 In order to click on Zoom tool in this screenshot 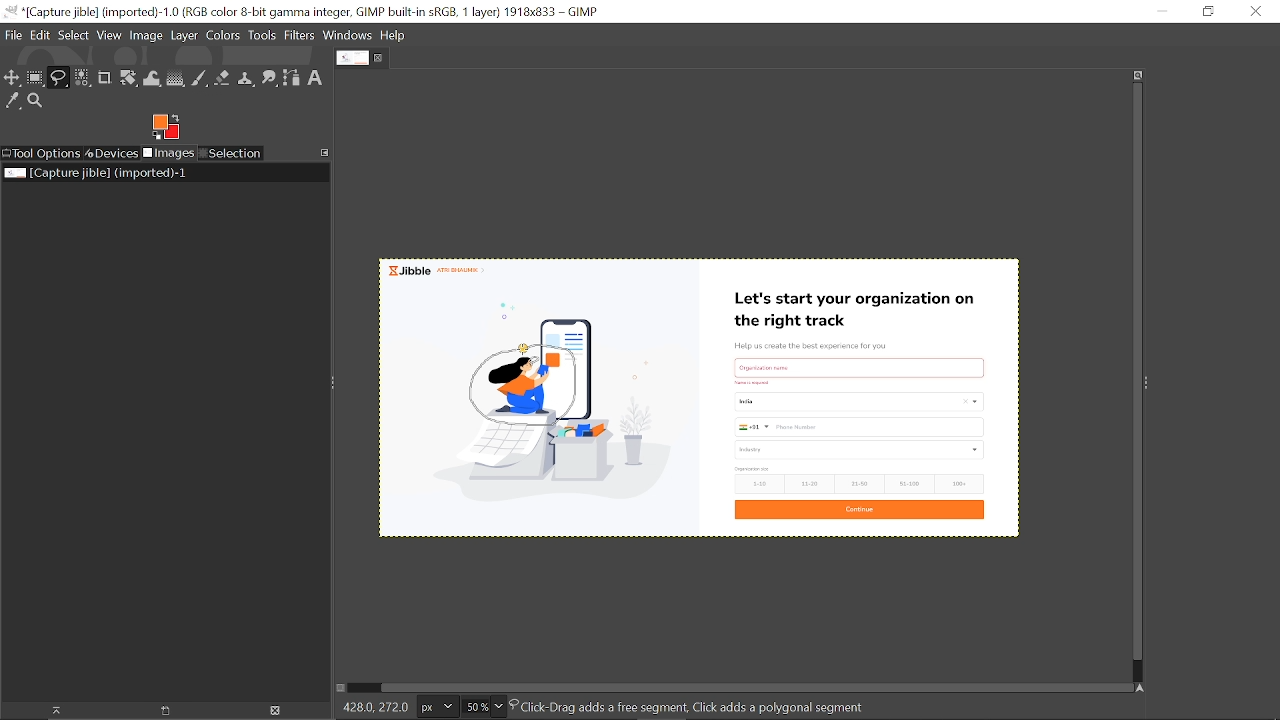, I will do `click(38, 103)`.